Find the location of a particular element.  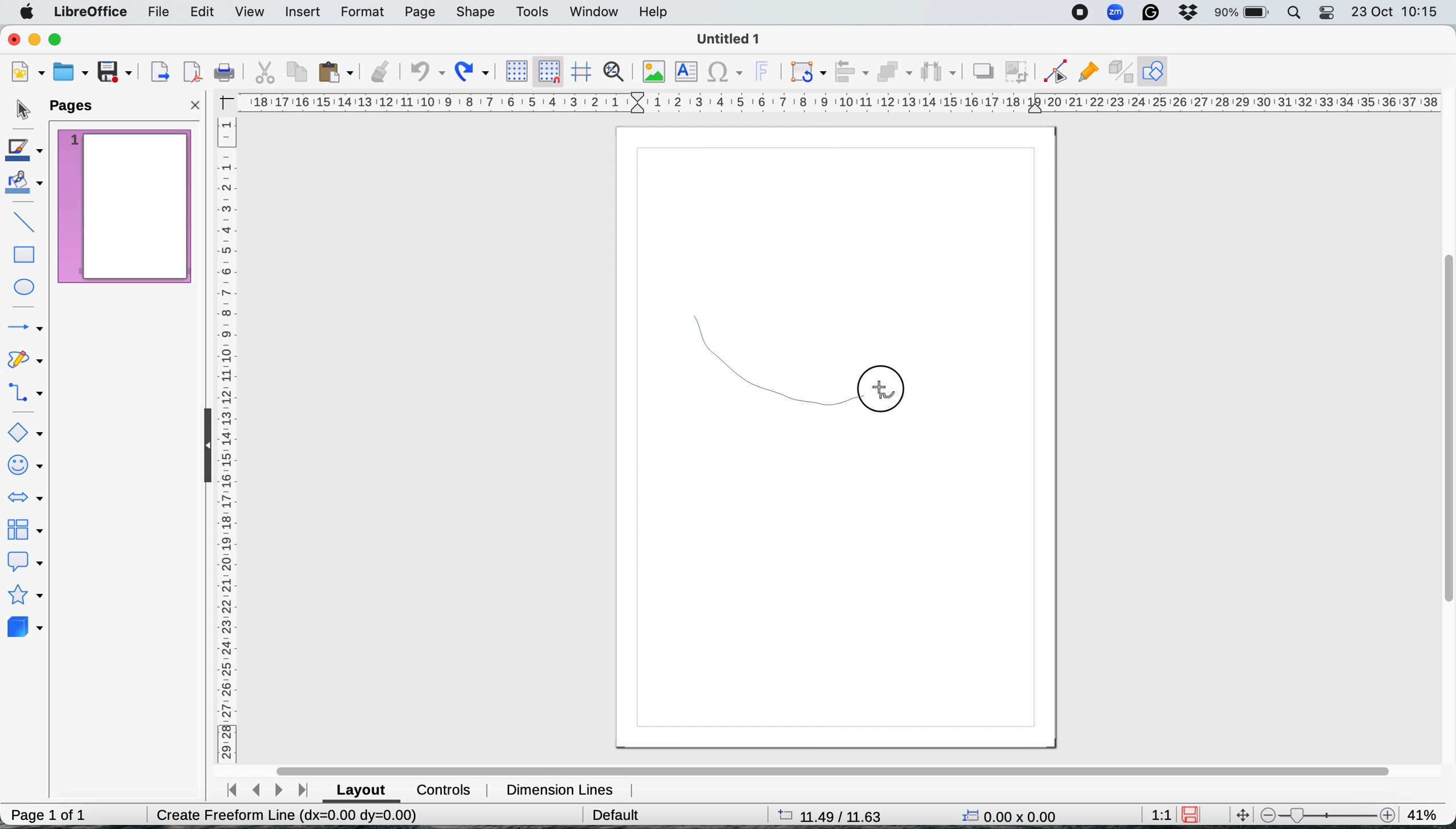

file name is located at coordinates (736, 38).